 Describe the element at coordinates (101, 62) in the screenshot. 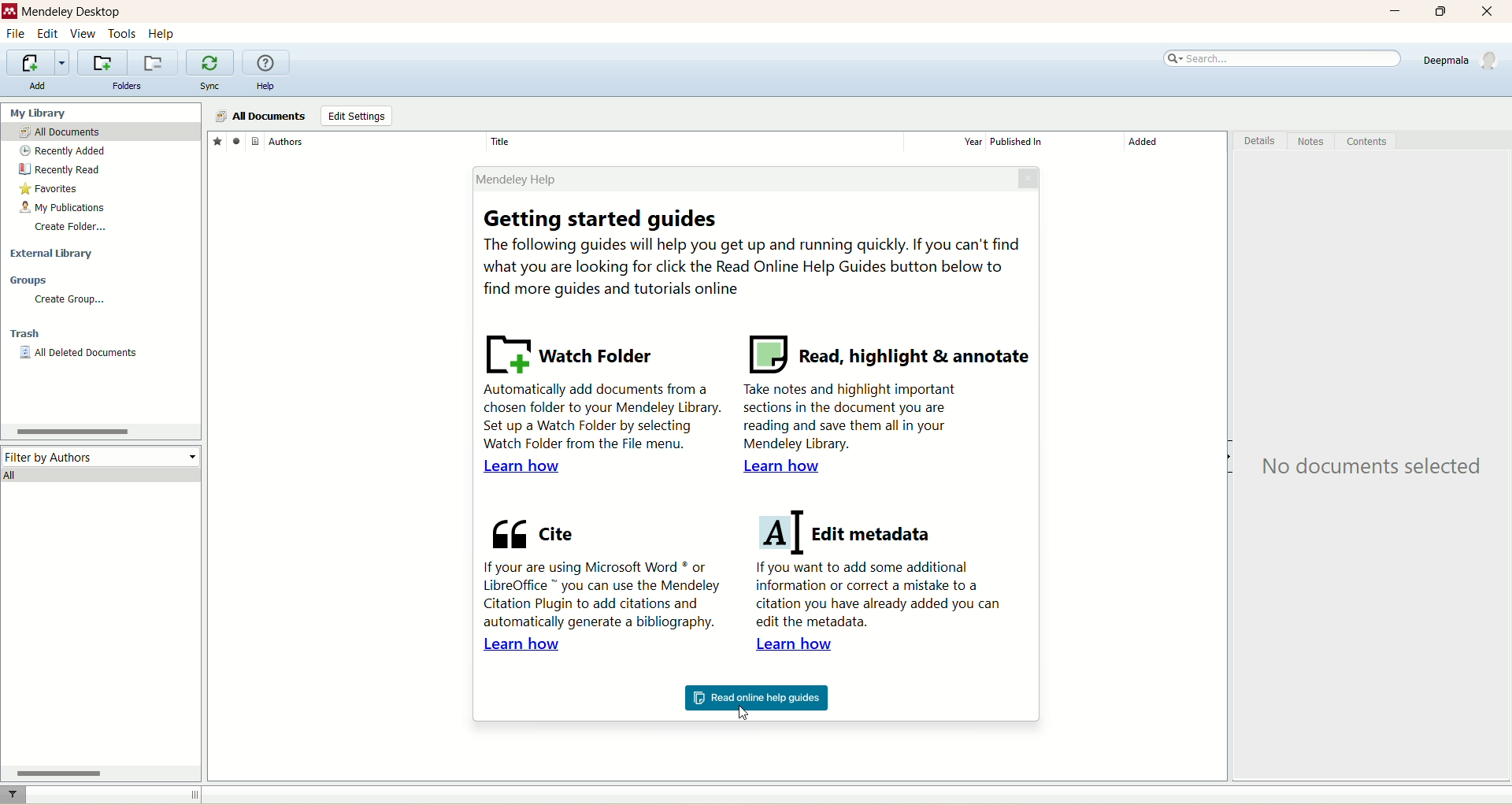

I see `create a new folder` at that location.